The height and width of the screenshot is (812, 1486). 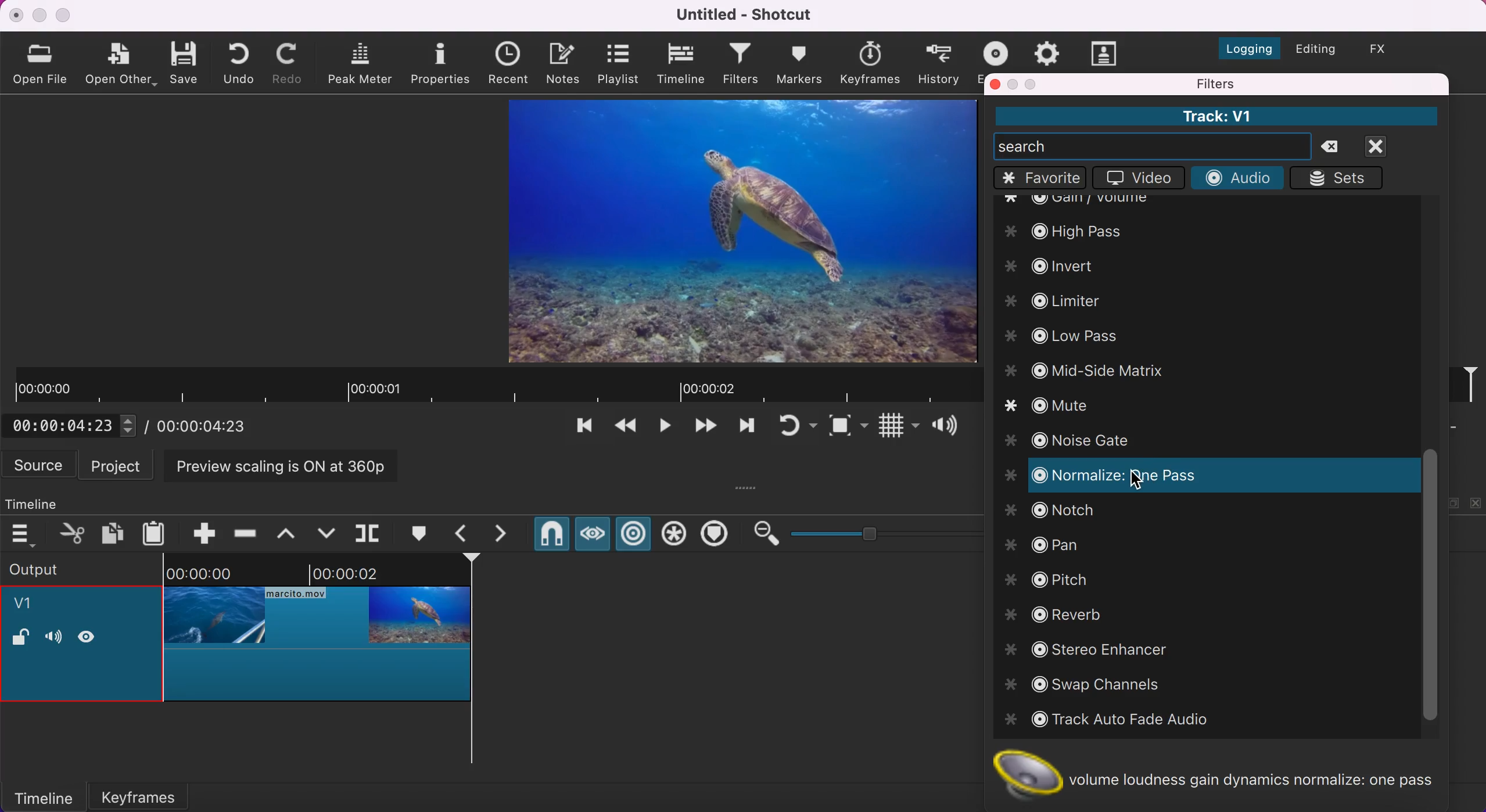 What do you see at coordinates (897, 428) in the screenshot?
I see `toggle grid display on the player` at bounding box center [897, 428].